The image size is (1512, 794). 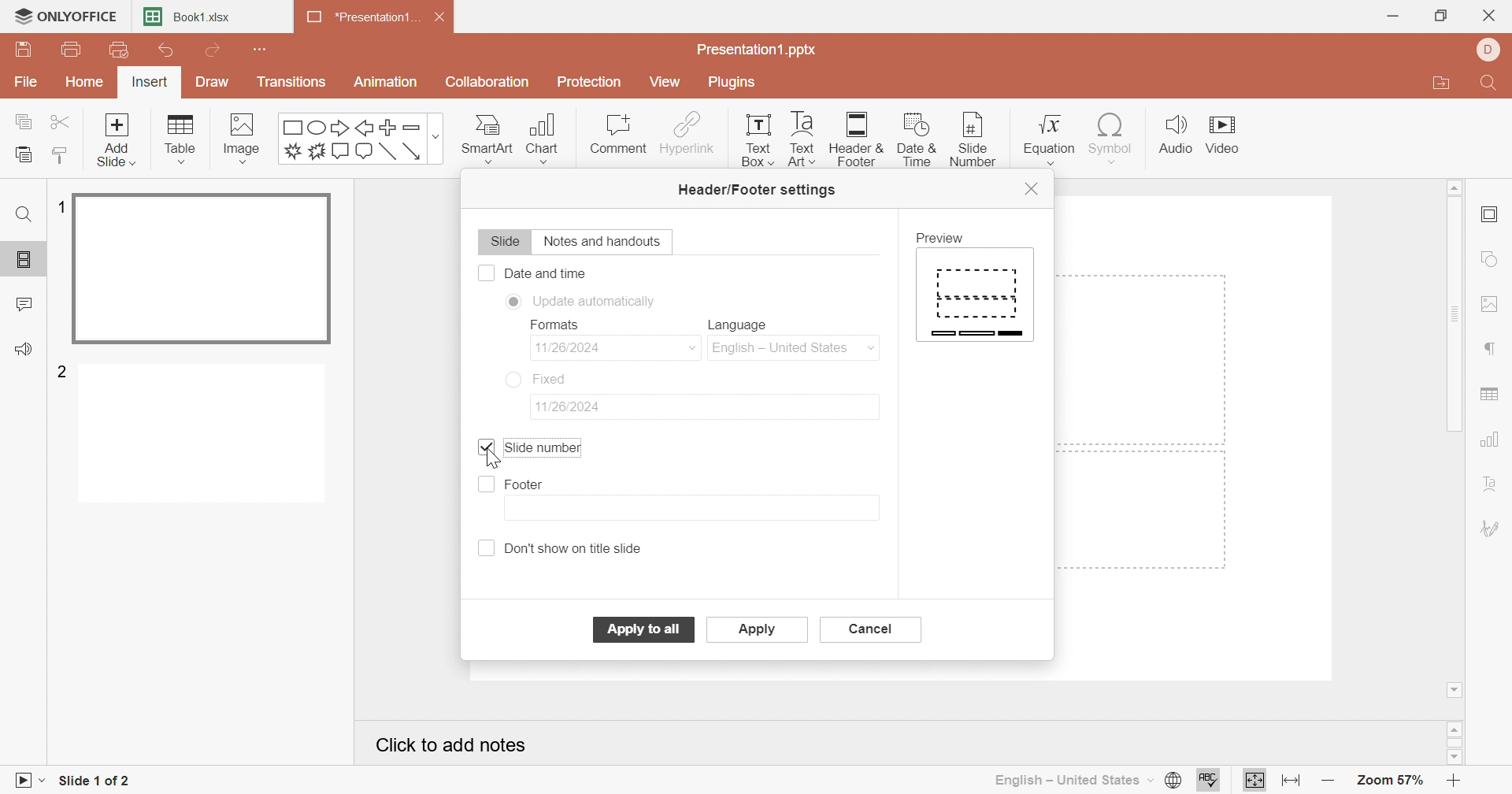 What do you see at coordinates (27, 260) in the screenshot?
I see `Slides` at bounding box center [27, 260].